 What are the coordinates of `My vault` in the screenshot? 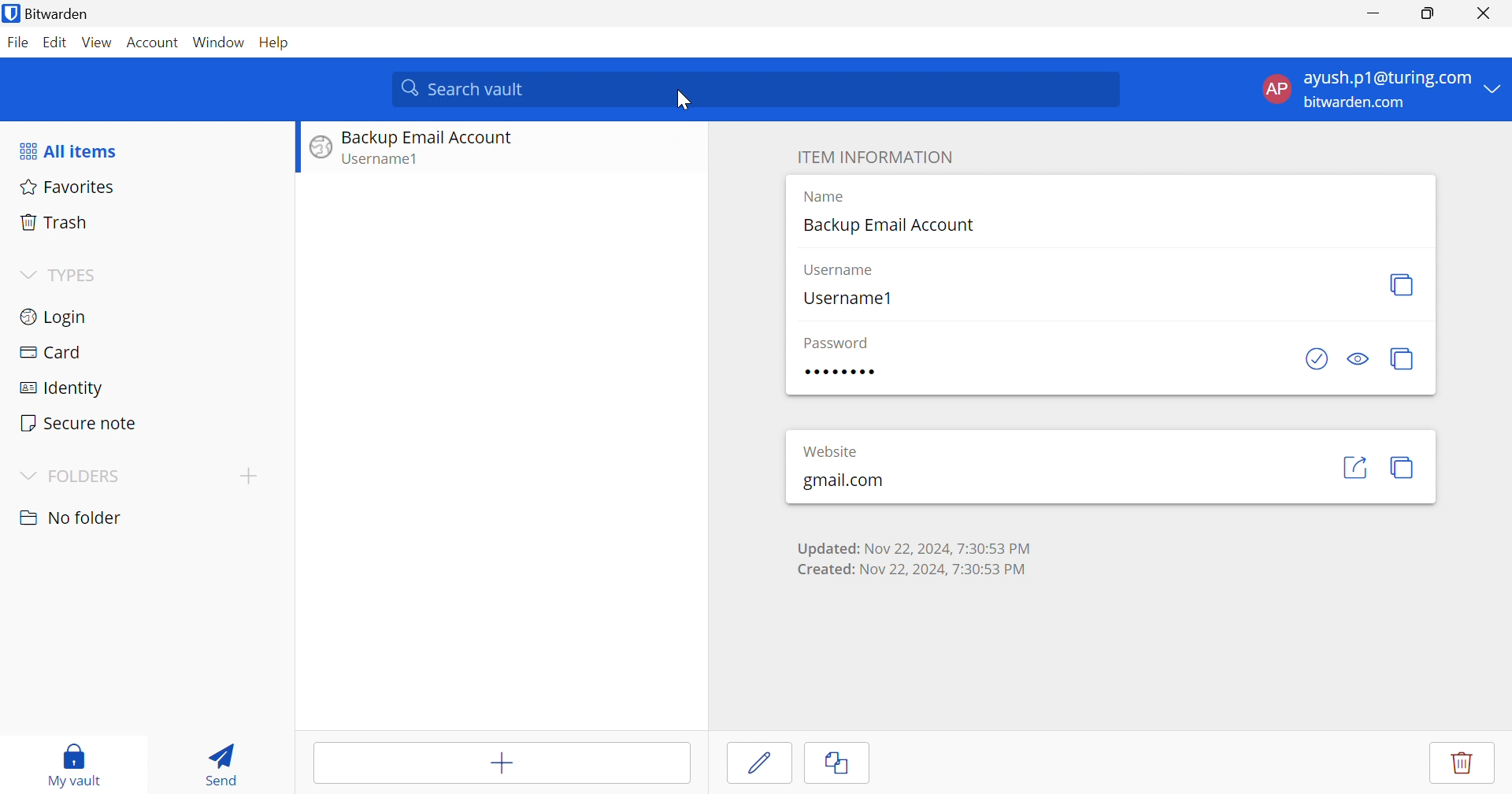 It's located at (74, 766).